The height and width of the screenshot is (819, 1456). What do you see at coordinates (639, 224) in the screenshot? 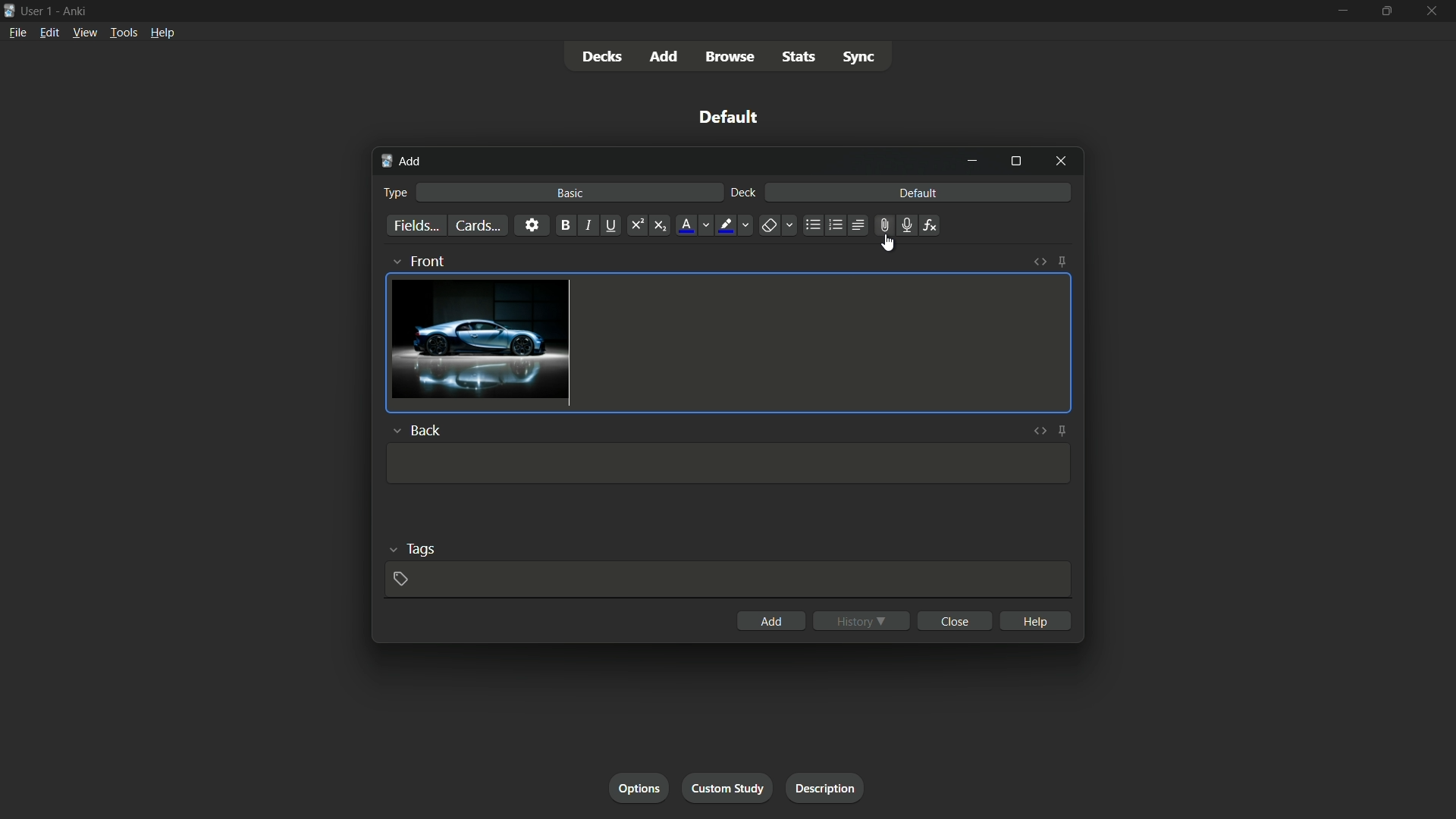
I see `supercript` at bounding box center [639, 224].